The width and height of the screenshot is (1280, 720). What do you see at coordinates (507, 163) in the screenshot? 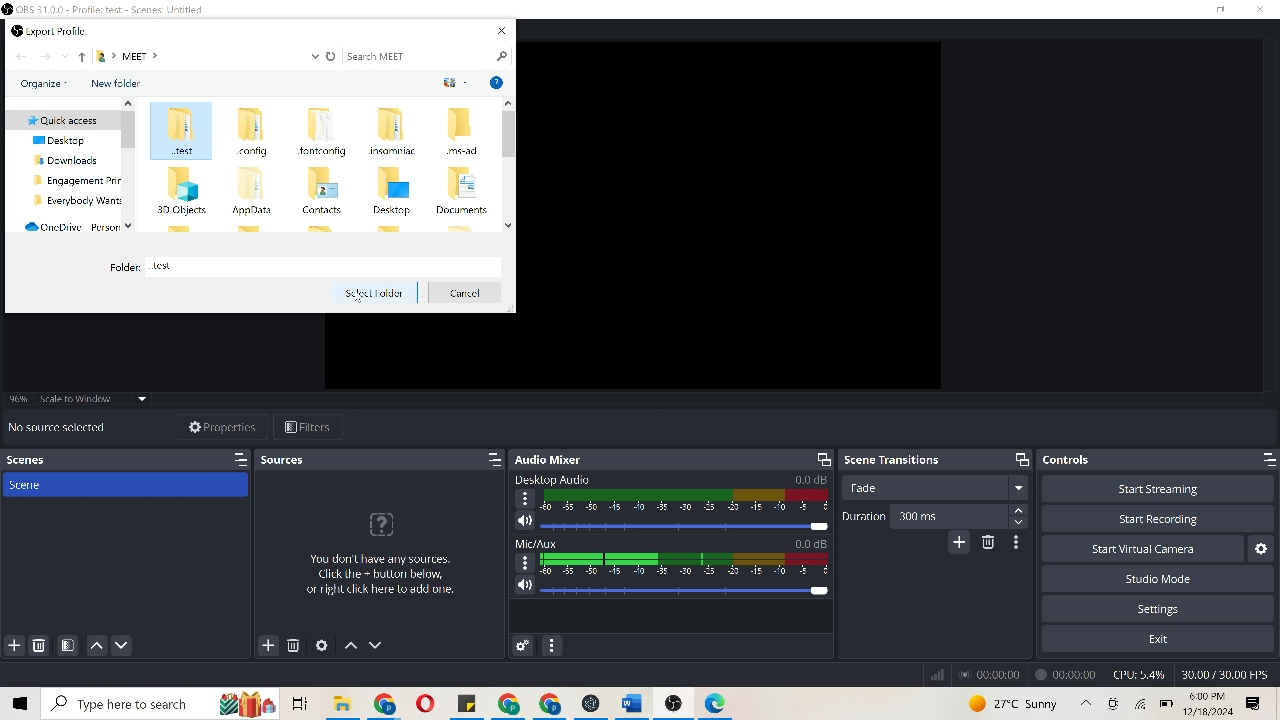
I see `scroll bar` at bounding box center [507, 163].